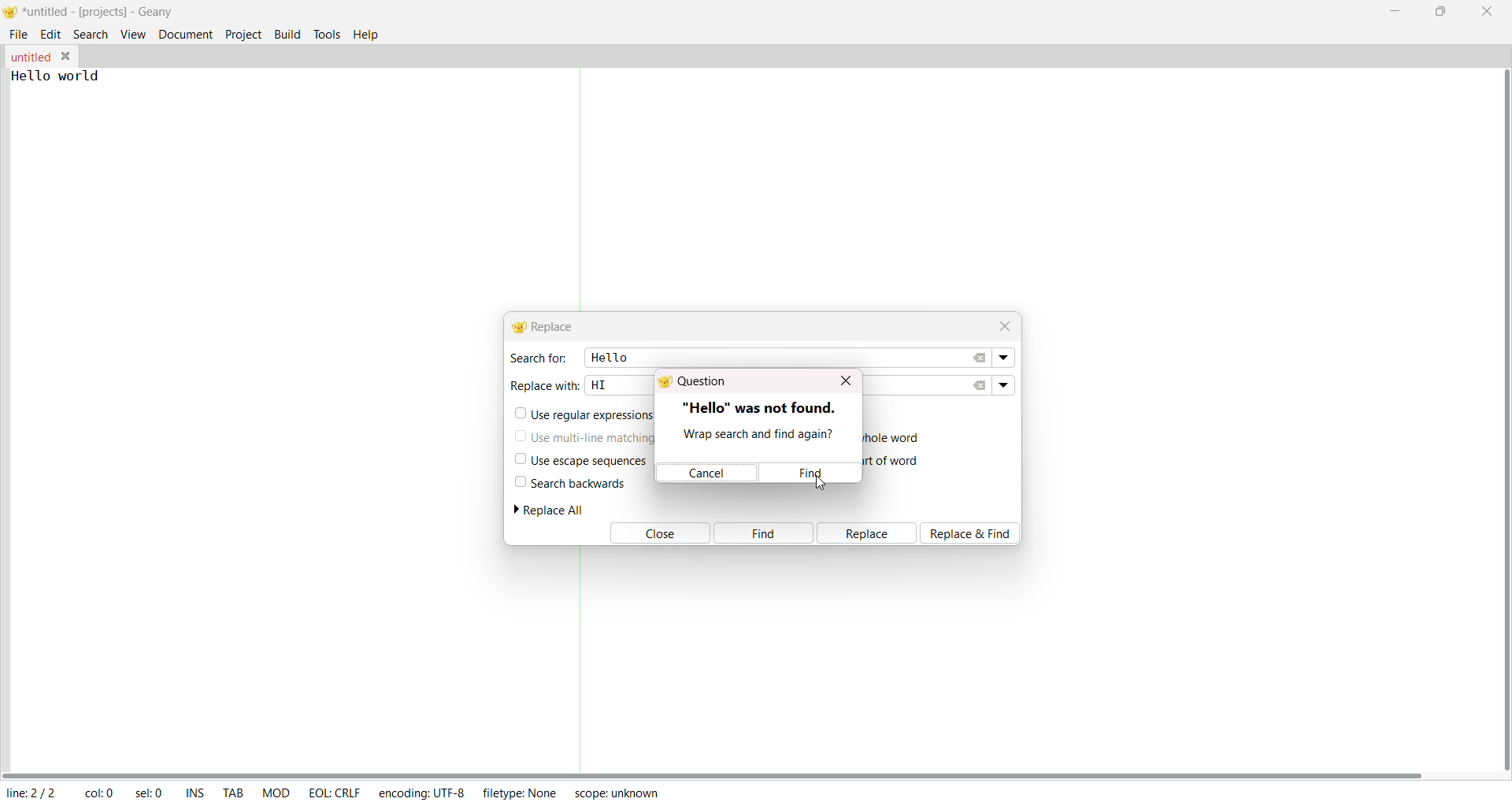 The height and width of the screenshot is (802, 1512). What do you see at coordinates (20, 32) in the screenshot?
I see `file` at bounding box center [20, 32].